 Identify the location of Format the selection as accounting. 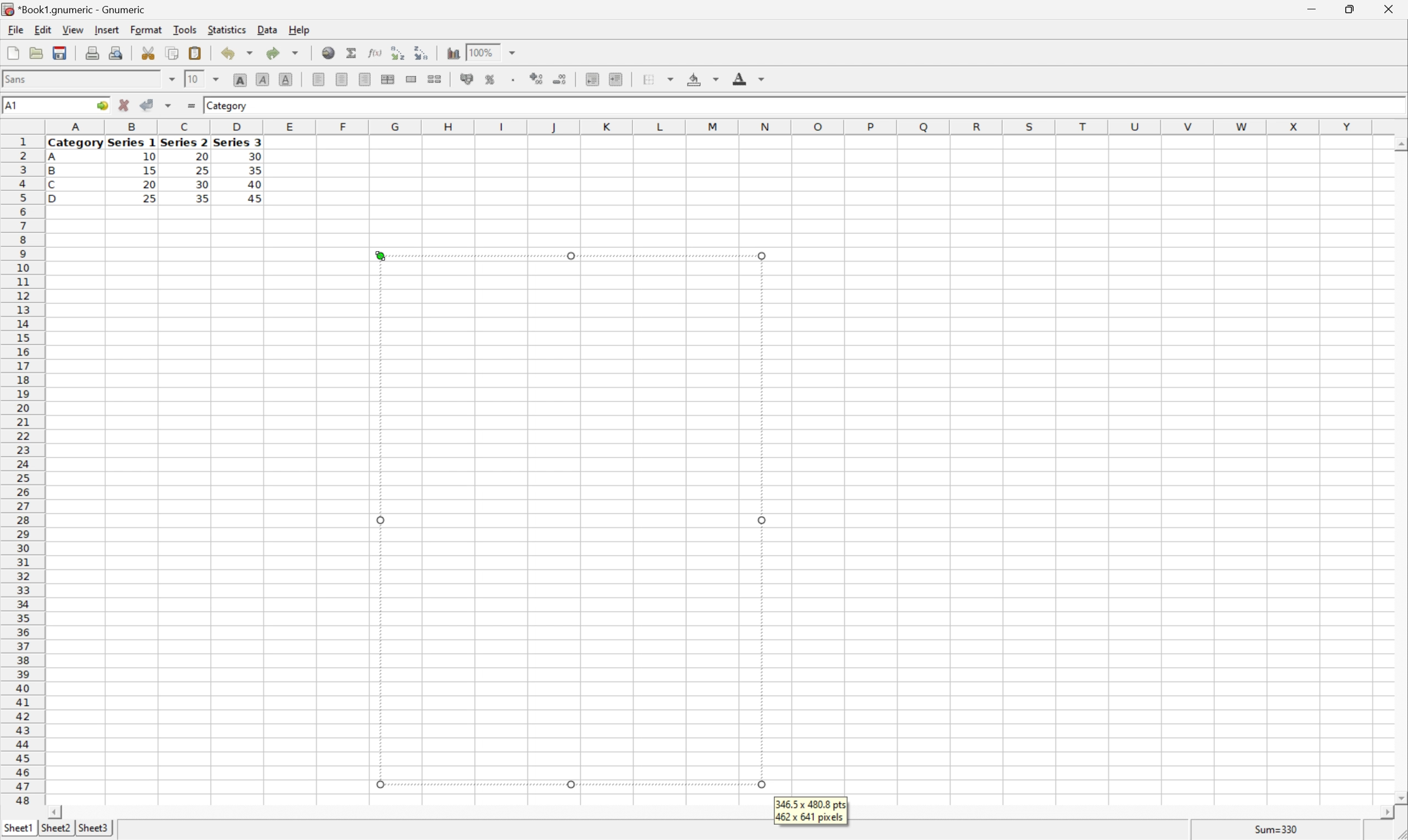
(462, 78).